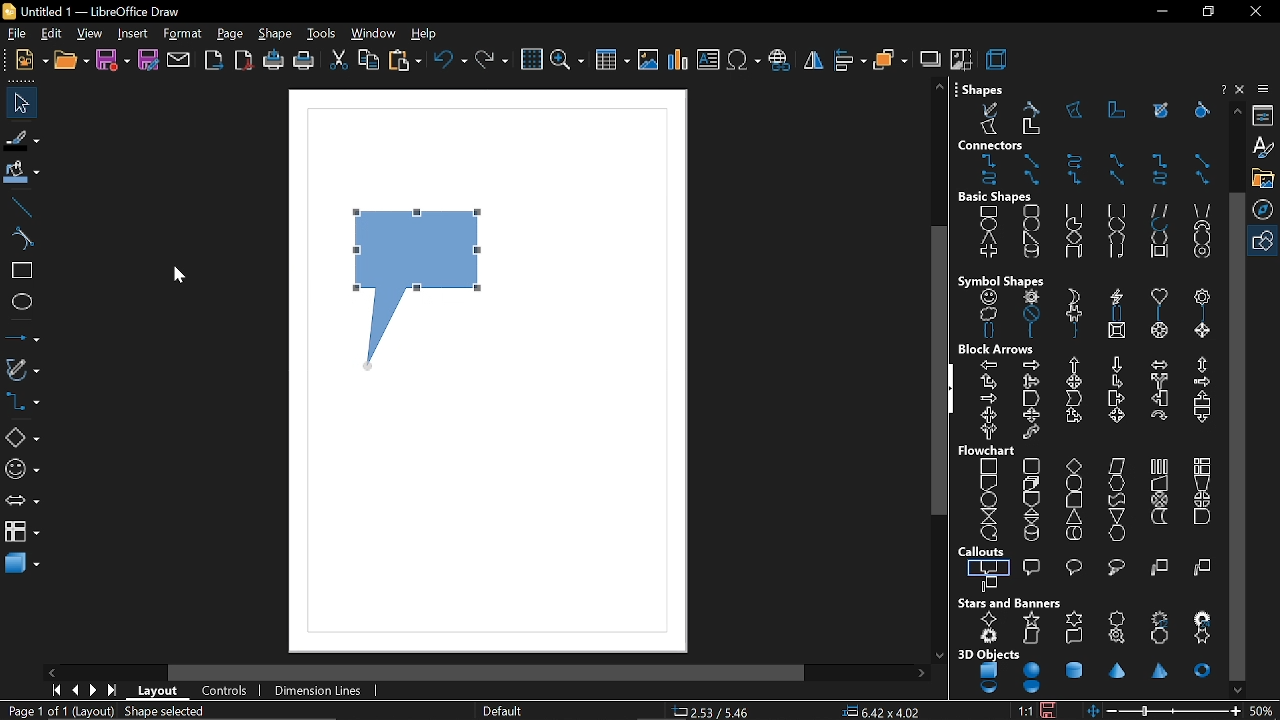 The width and height of the screenshot is (1280, 720). What do you see at coordinates (319, 693) in the screenshot?
I see `dimension lines` at bounding box center [319, 693].